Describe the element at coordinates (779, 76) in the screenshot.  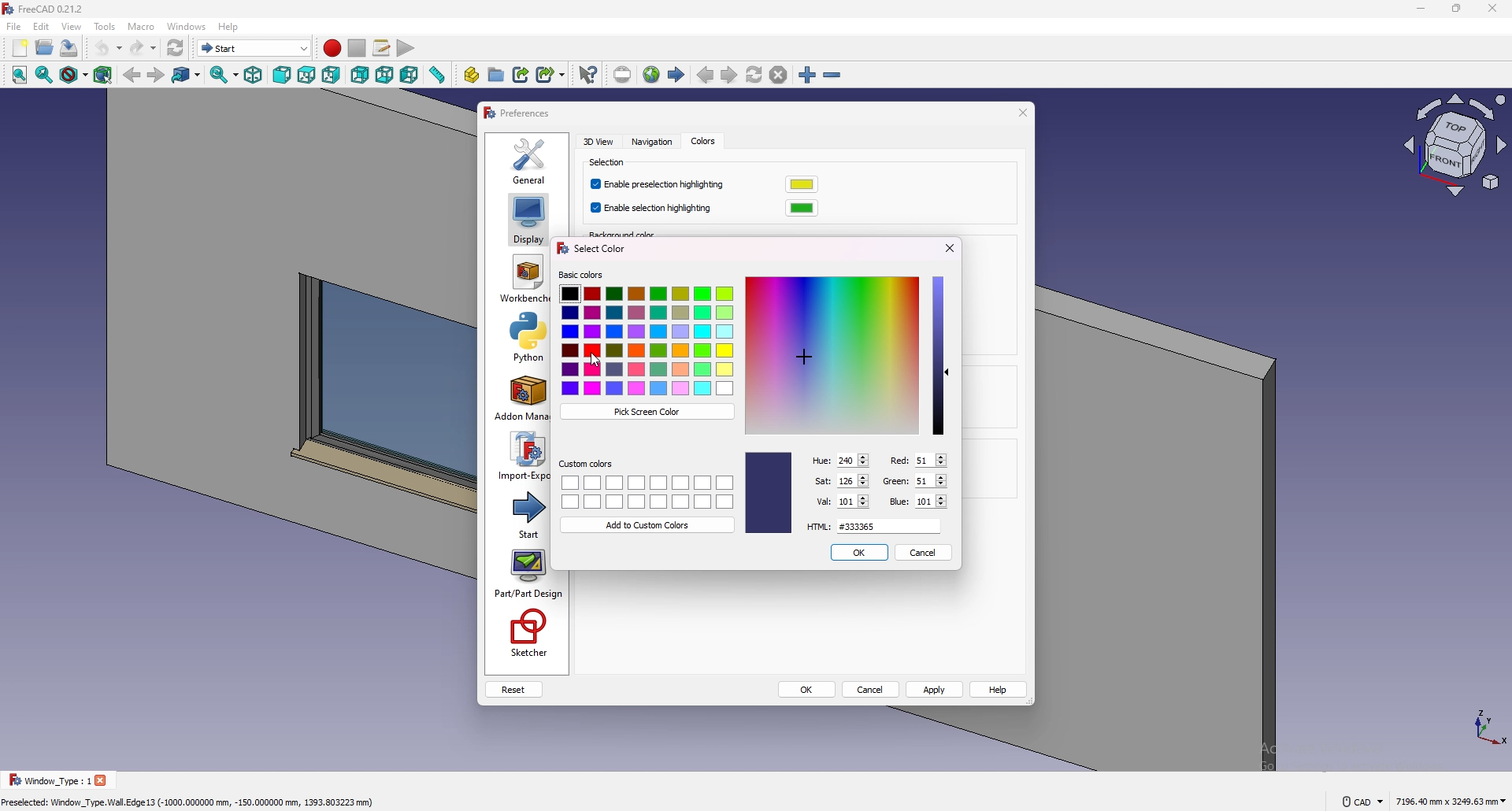
I see `stop loading` at that location.